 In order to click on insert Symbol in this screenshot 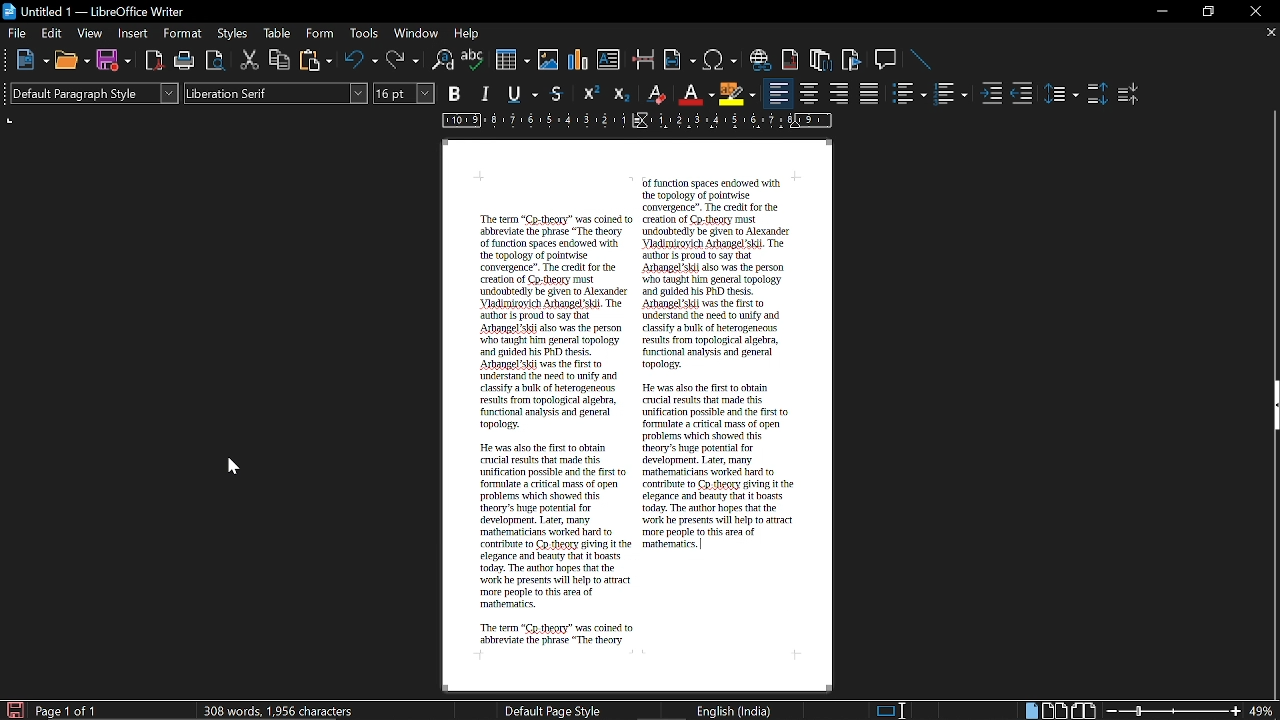, I will do `click(720, 61)`.